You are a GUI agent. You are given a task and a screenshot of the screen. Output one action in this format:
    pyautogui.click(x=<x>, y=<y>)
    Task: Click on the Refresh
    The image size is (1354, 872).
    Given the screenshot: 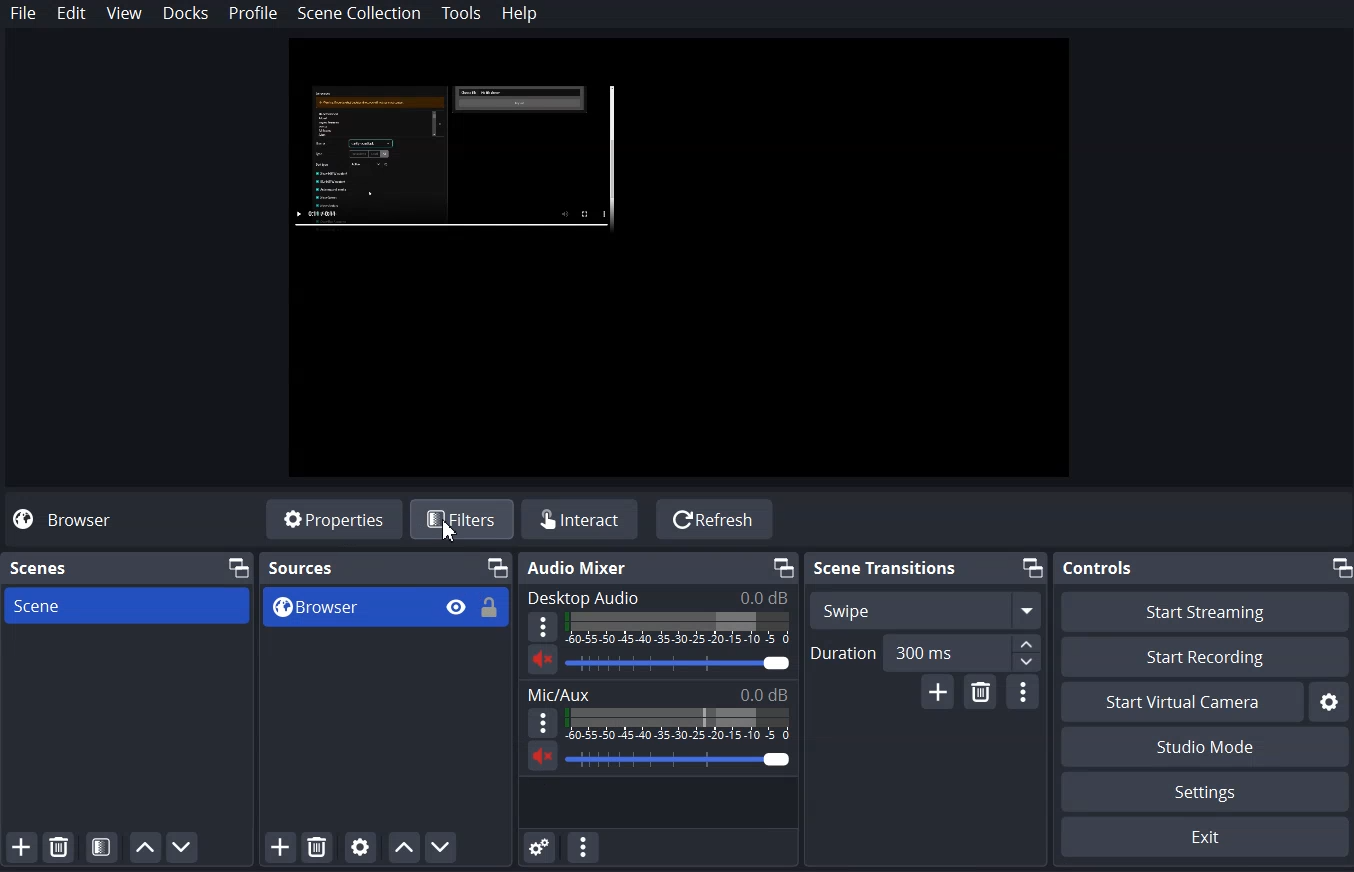 What is the action you would take?
    pyautogui.click(x=715, y=519)
    